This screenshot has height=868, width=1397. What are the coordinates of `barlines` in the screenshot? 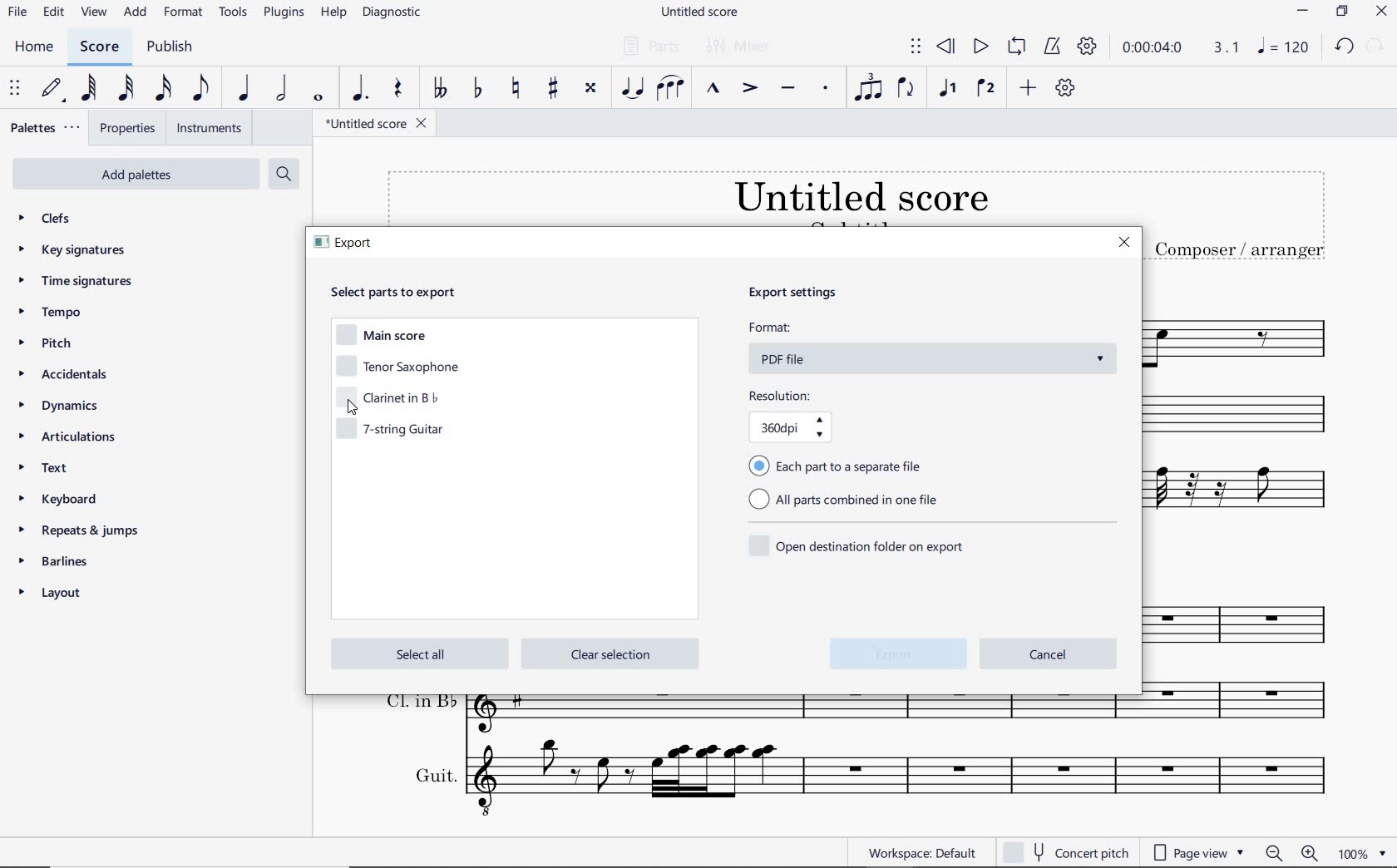 It's located at (61, 560).